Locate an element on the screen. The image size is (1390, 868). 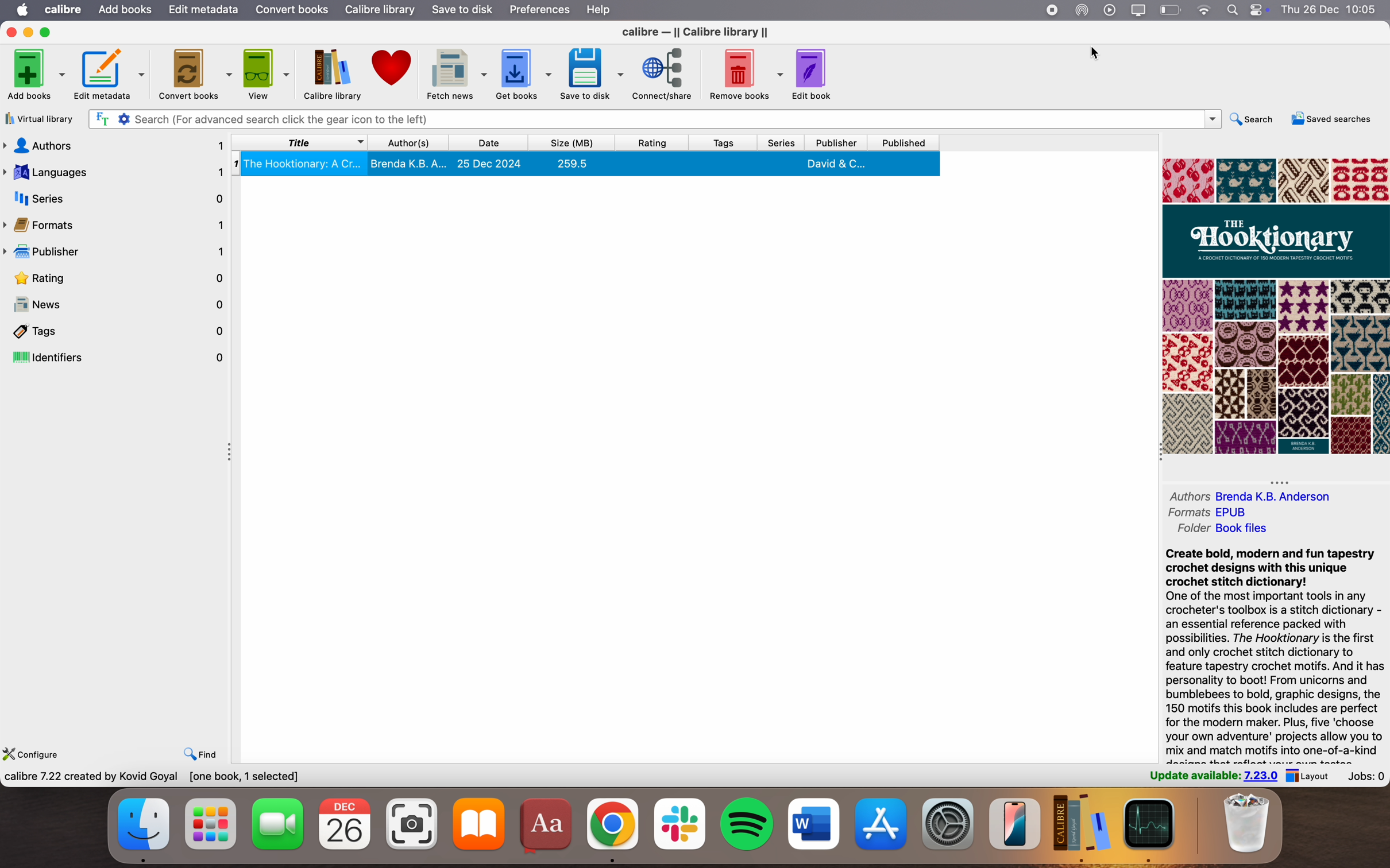
Calibre library is located at coordinates (332, 75).